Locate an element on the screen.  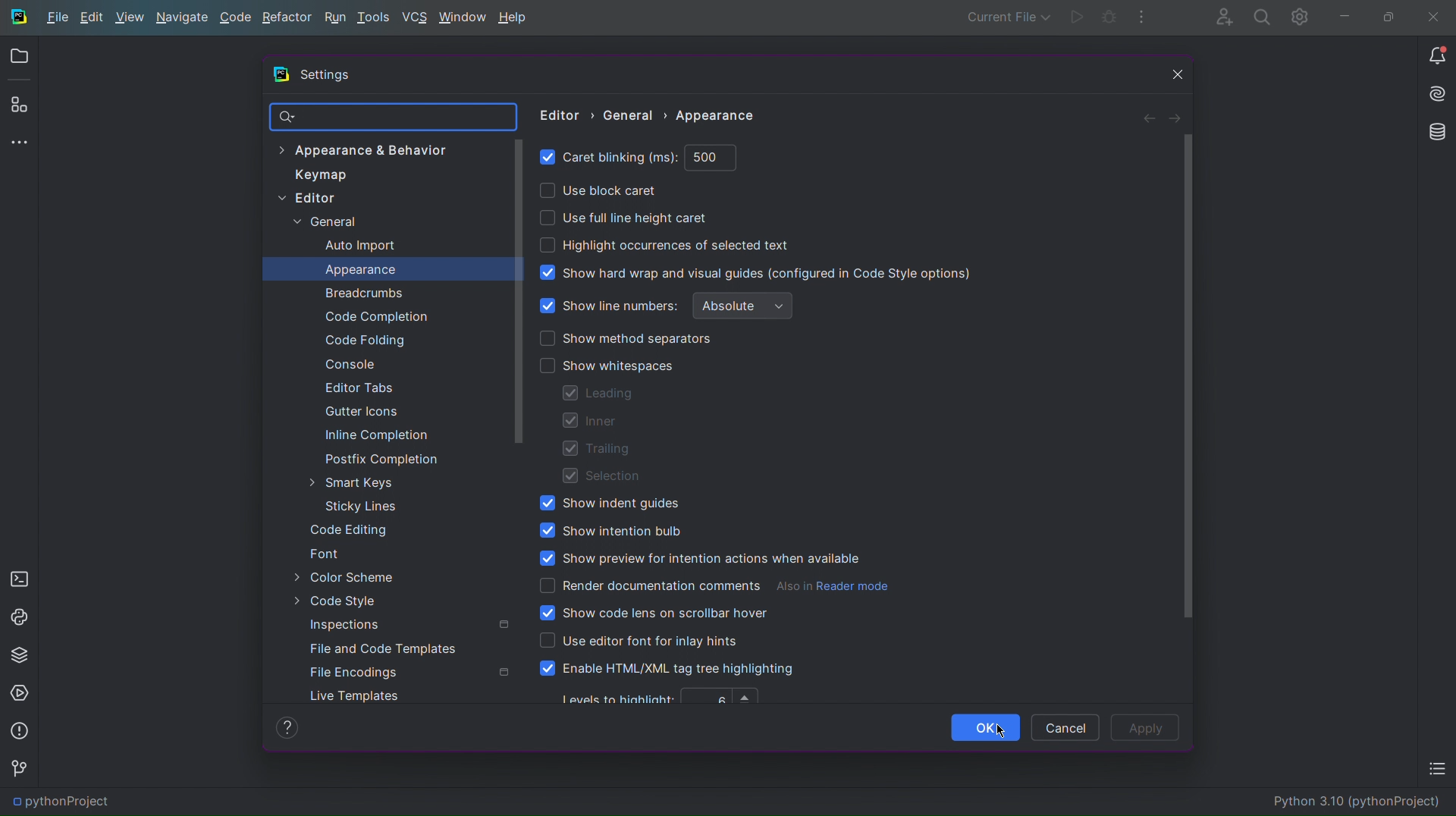
Refactor is located at coordinates (288, 17).